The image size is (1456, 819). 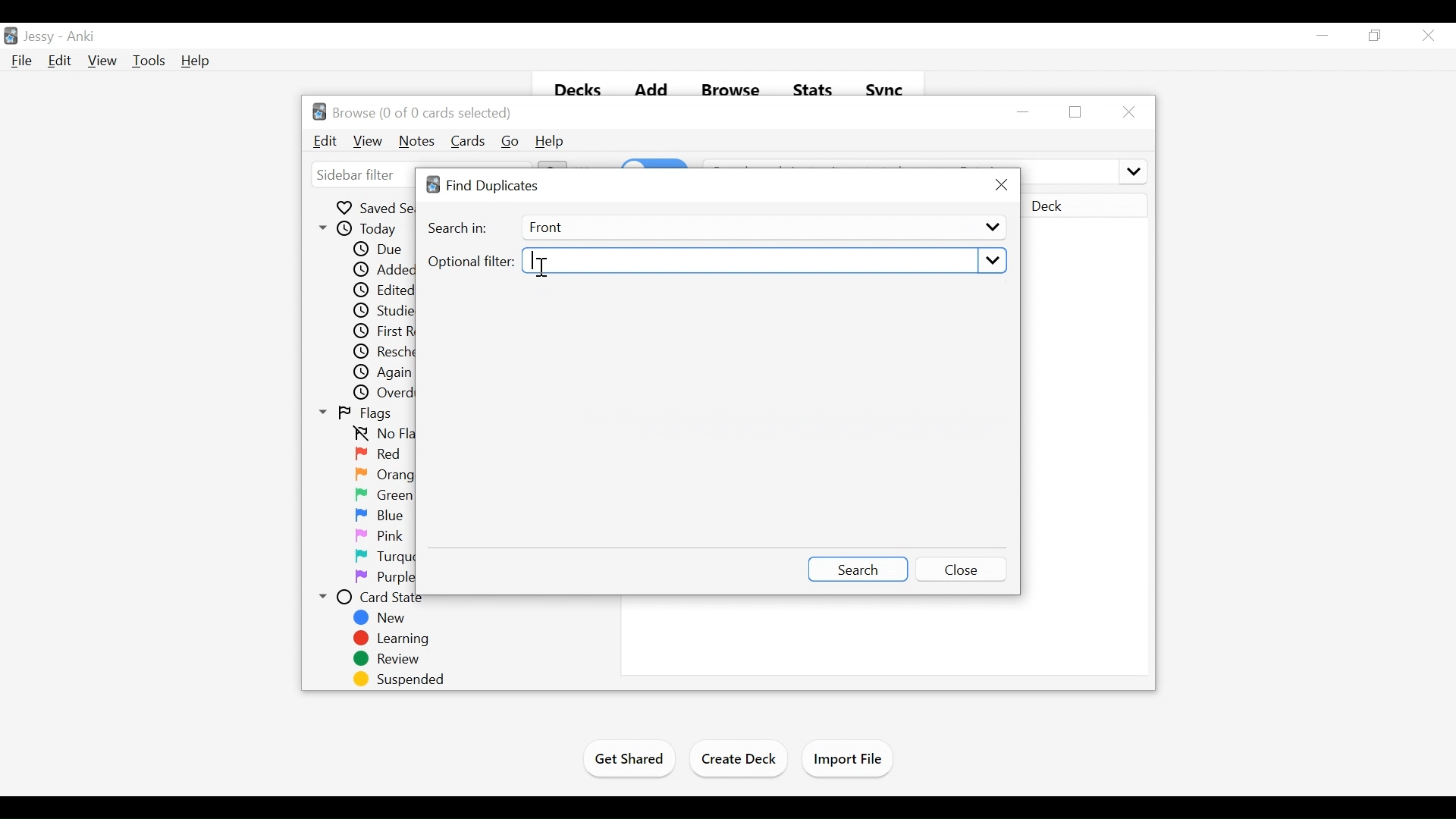 I want to click on Sync, so click(x=886, y=87).